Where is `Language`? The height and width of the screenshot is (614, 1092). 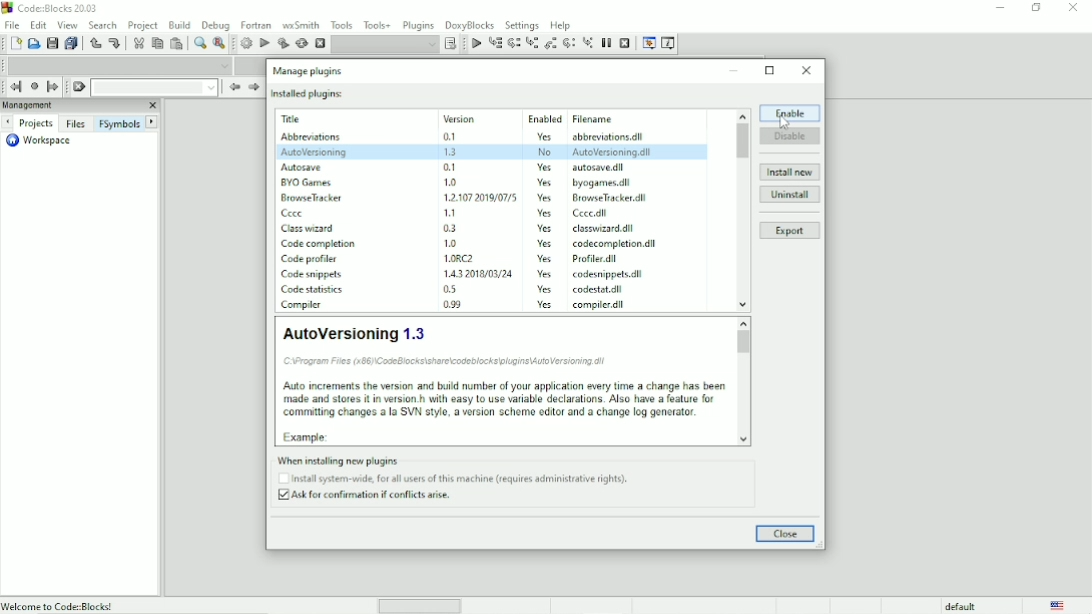 Language is located at coordinates (1060, 605).